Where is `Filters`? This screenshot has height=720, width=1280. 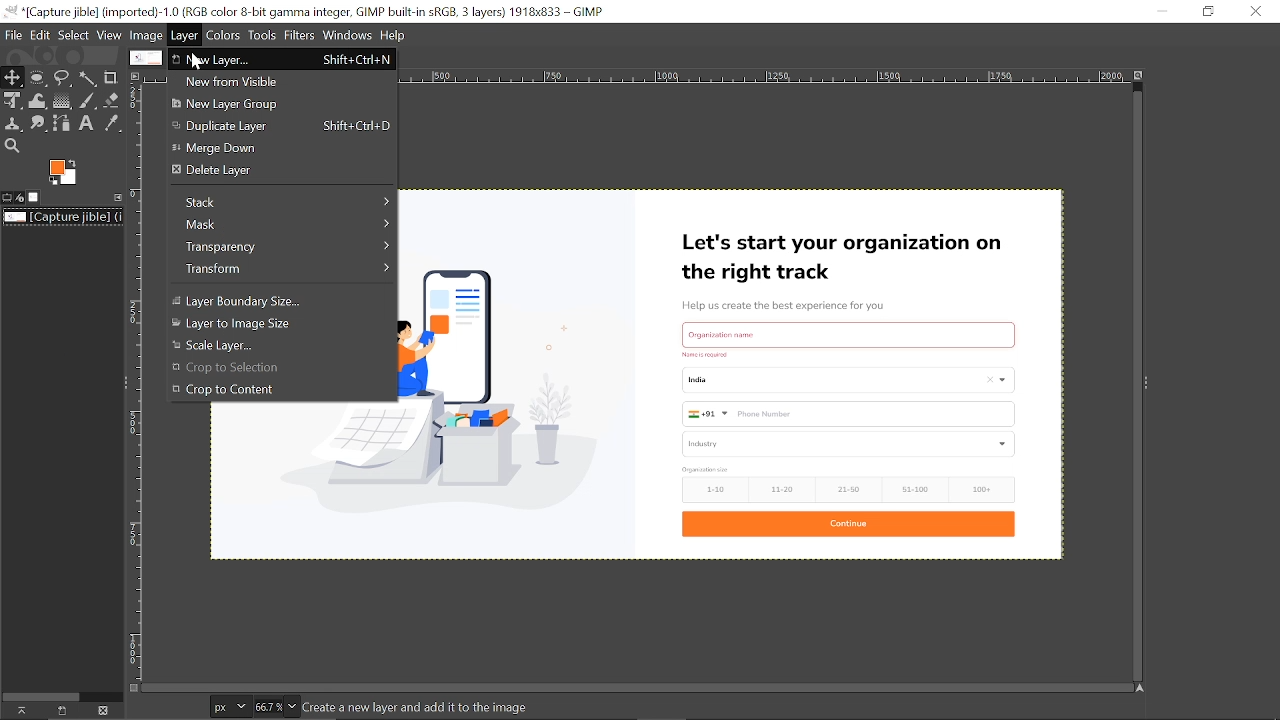 Filters is located at coordinates (301, 35).